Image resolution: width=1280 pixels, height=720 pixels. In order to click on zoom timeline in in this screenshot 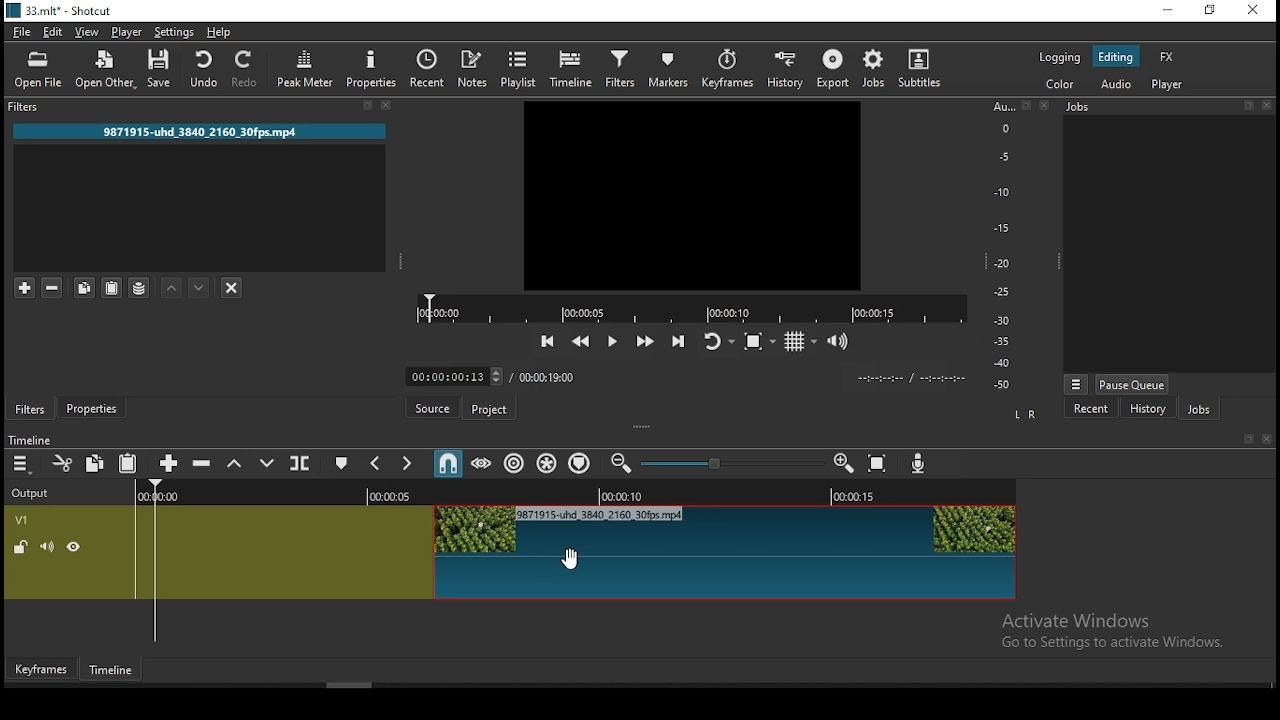, I will do `click(845, 466)`.